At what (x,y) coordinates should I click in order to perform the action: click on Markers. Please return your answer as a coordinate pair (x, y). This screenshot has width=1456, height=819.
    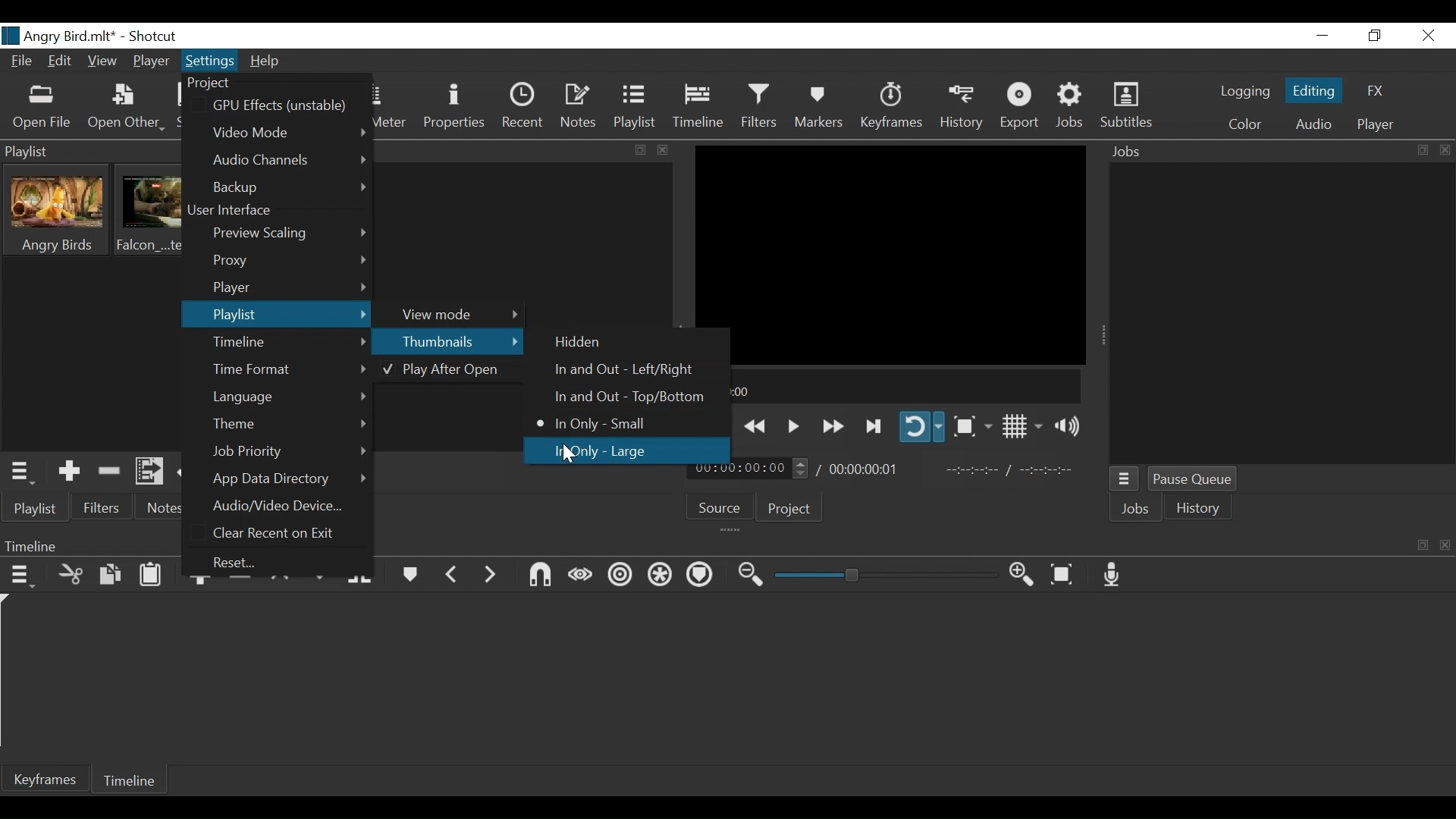
    Looking at the image, I should click on (820, 108).